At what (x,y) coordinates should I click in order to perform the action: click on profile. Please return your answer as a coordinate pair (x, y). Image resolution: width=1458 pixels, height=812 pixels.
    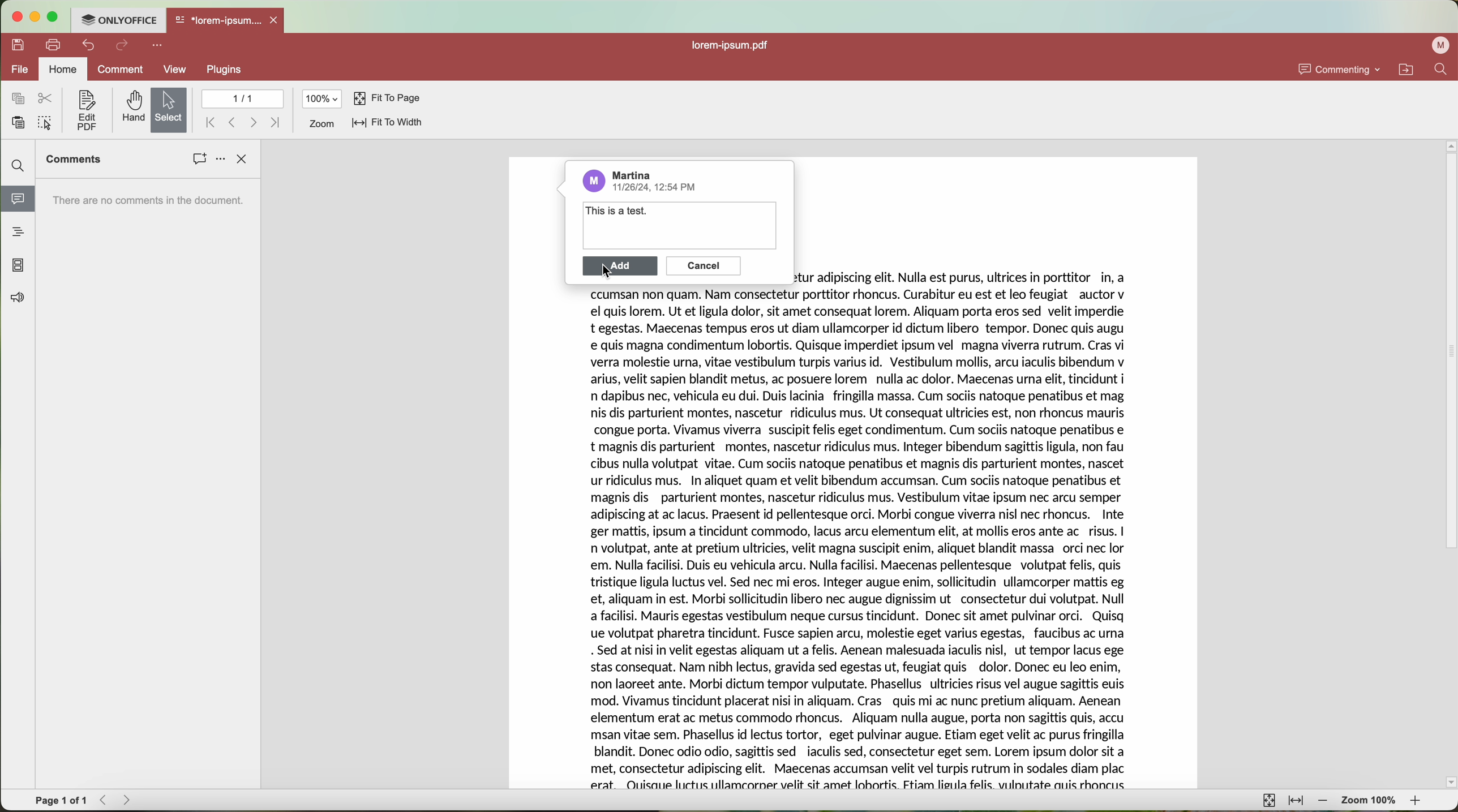
    Looking at the image, I should click on (1439, 46).